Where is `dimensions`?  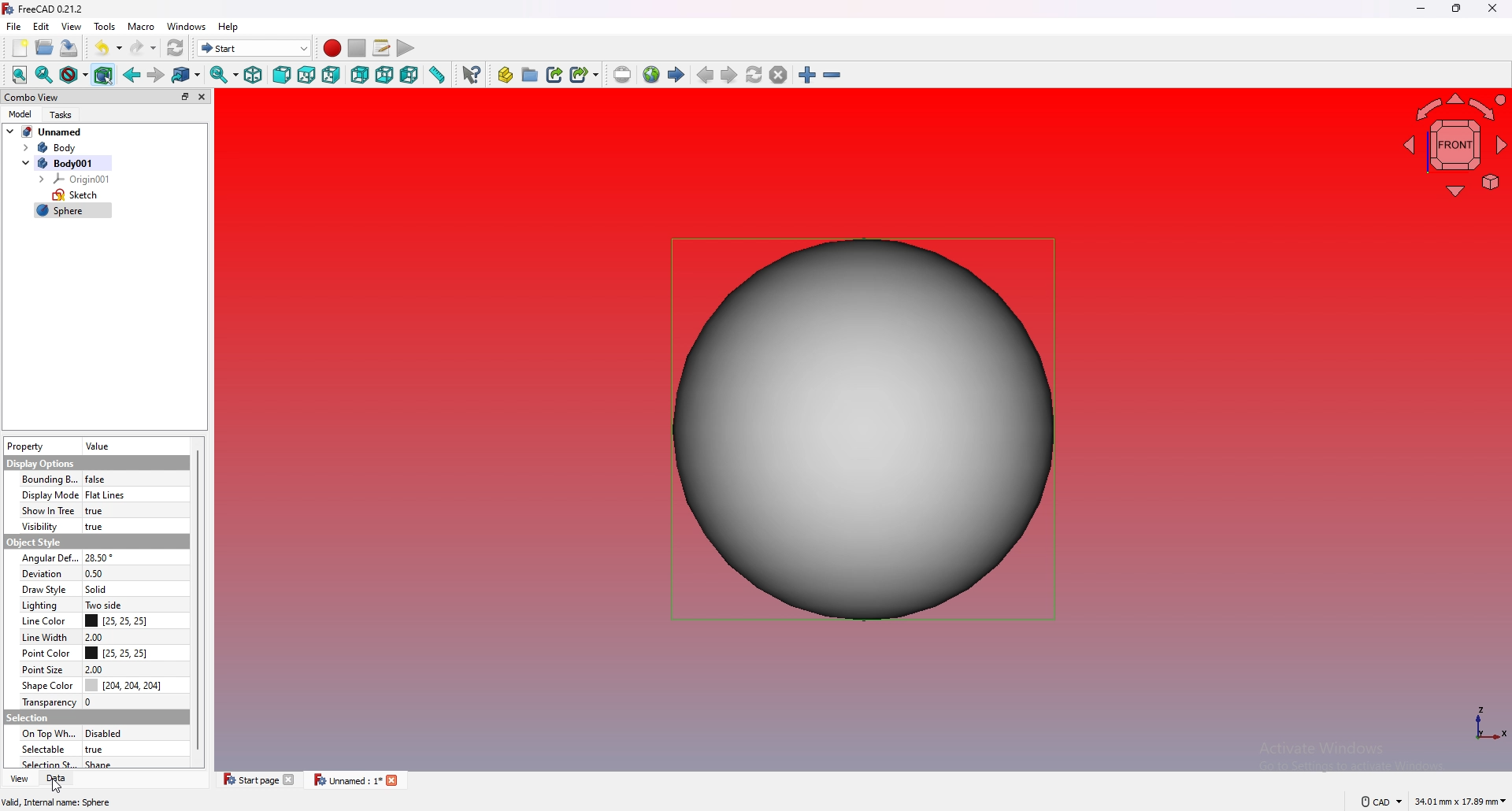 dimensions is located at coordinates (1461, 802).